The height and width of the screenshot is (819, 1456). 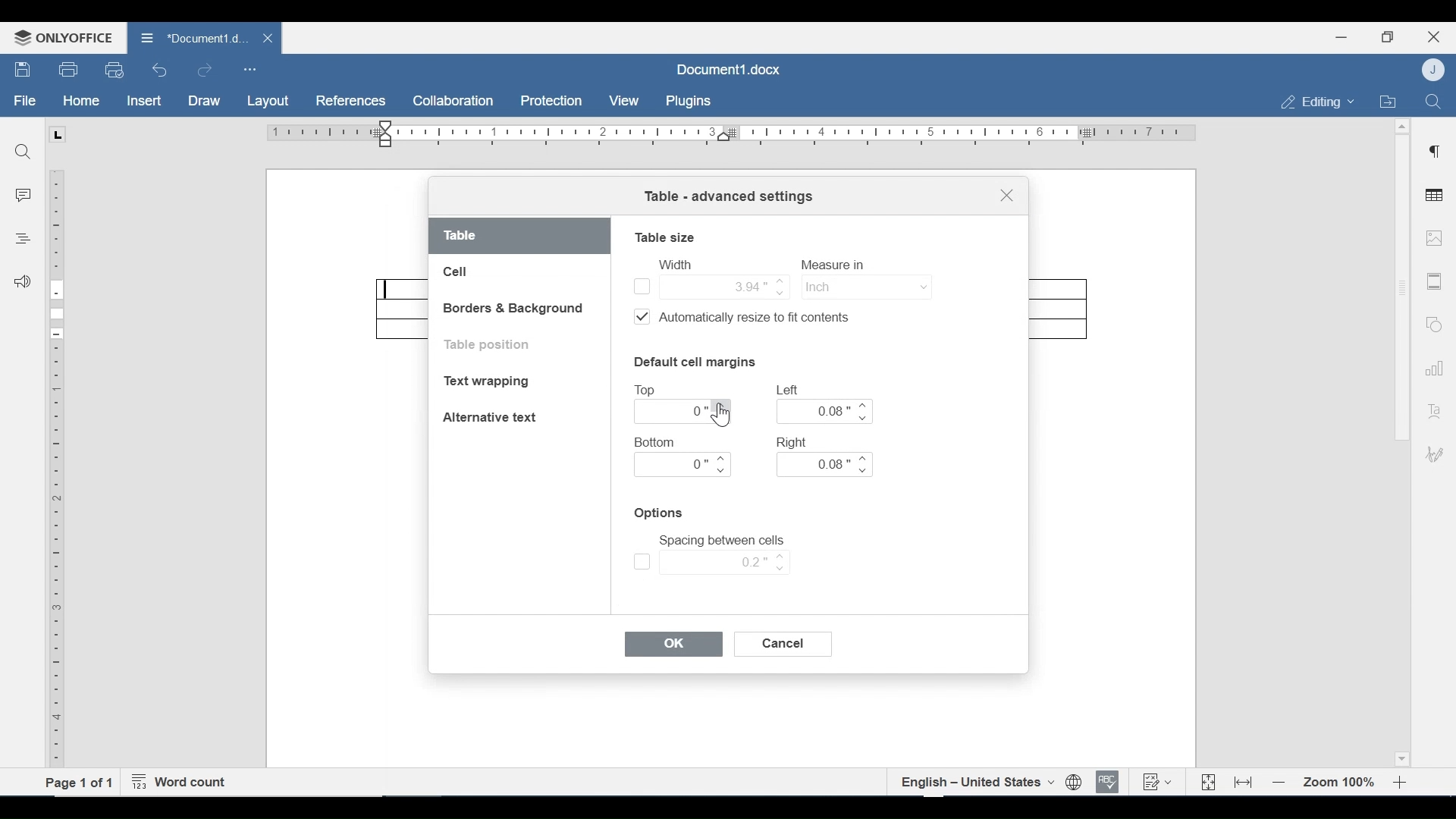 What do you see at coordinates (1432, 100) in the screenshot?
I see `Find` at bounding box center [1432, 100].